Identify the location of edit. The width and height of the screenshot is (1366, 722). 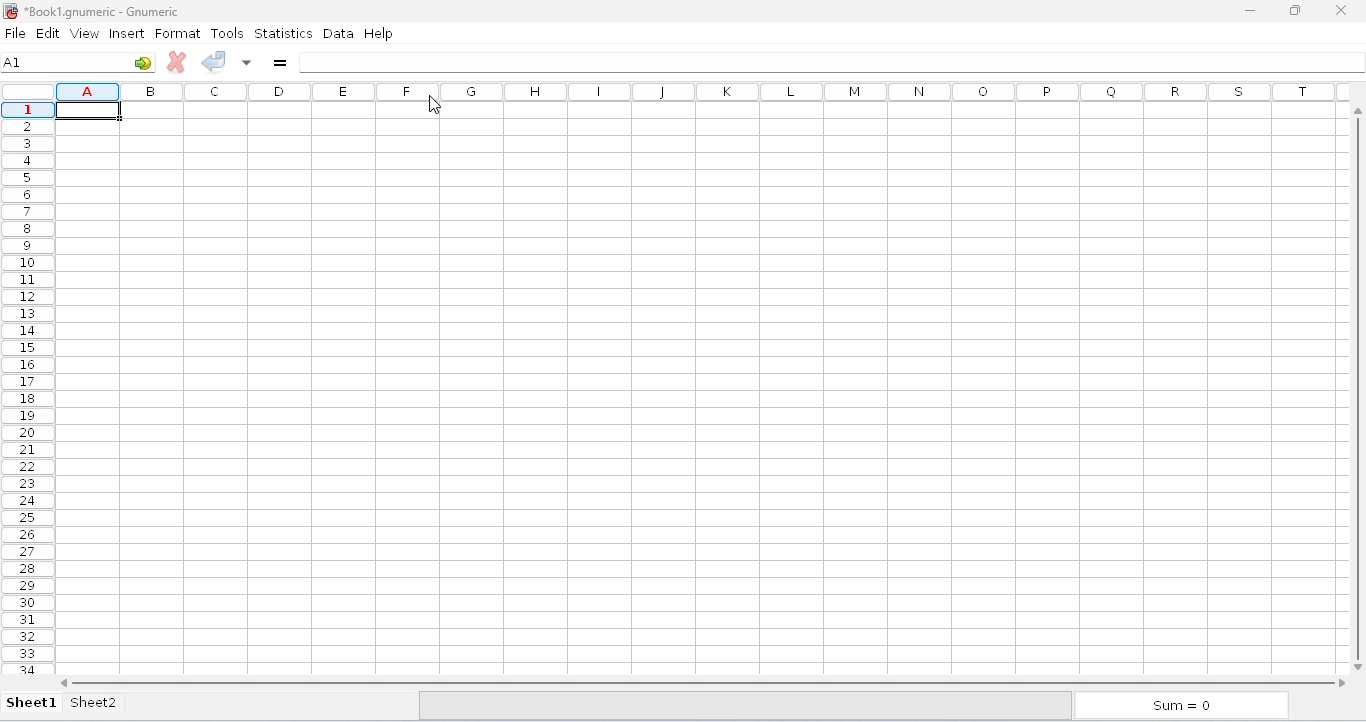
(49, 33).